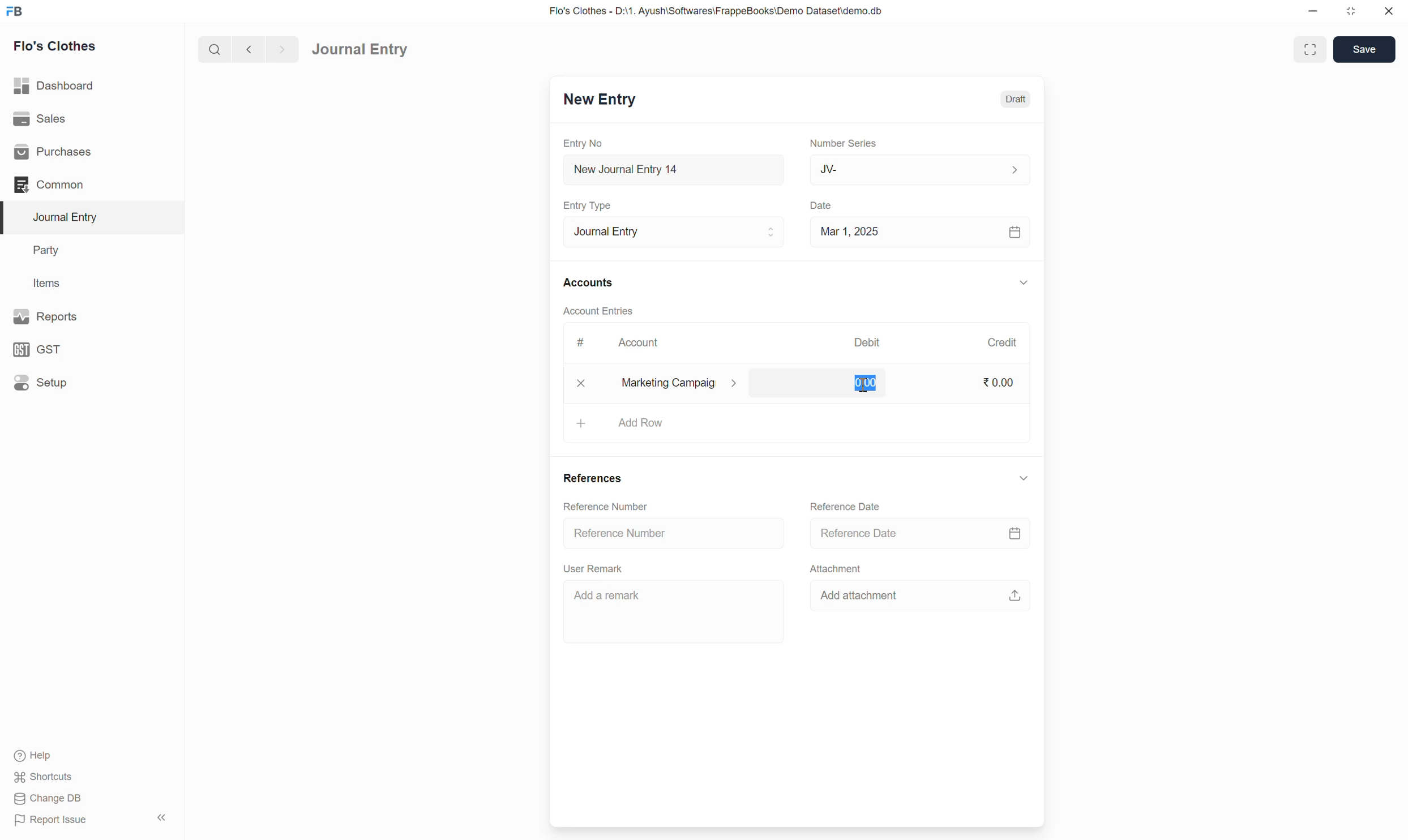 This screenshot has width=1408, height=840. What do you see at coordinates (70, 217) in the screenshot?
I see `Journal Entry` at bounding box center [70, 217].